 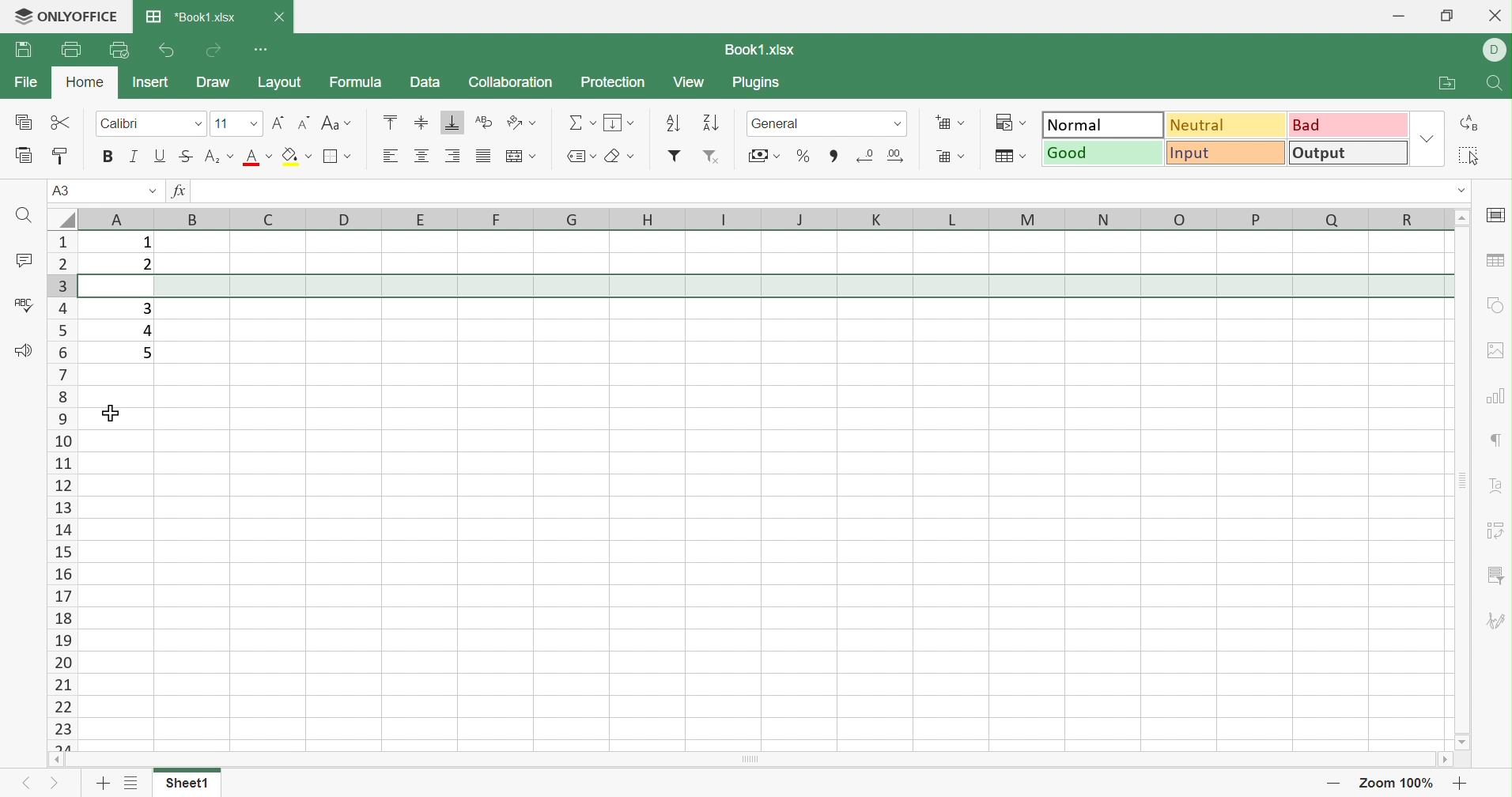 What do you see at coordinates (573, 159) in the screenshot?
I see `Named ranges` at bounding box center [573, 159].